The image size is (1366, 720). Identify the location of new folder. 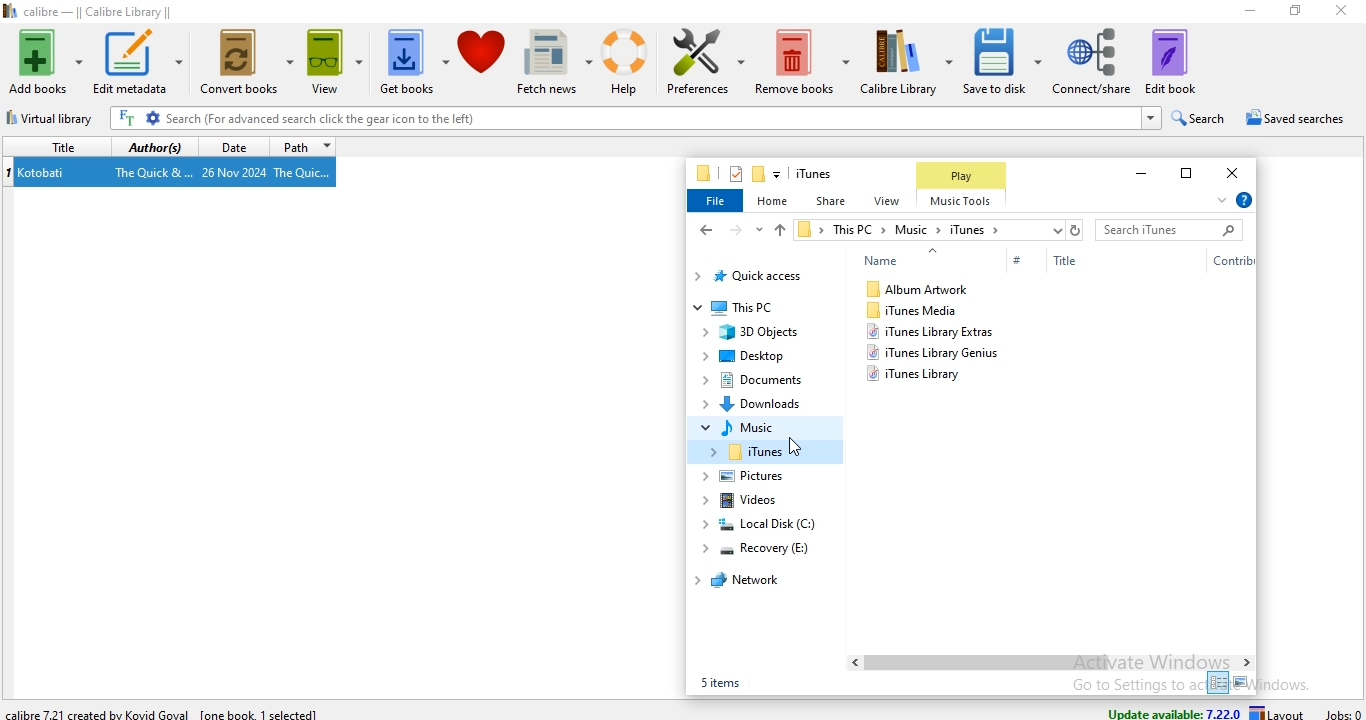
(759, 175).